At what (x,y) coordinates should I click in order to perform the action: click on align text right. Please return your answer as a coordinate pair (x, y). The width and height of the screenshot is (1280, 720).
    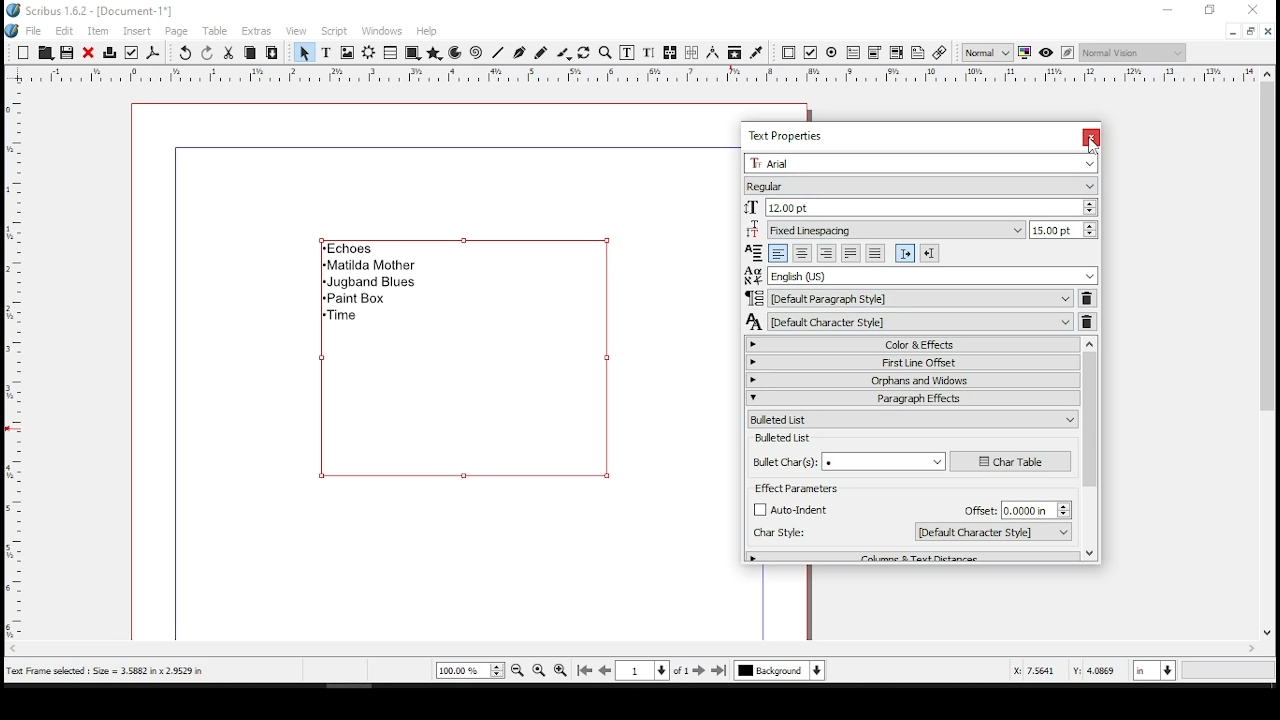
    Looking at the image, I should click on (826, 253).